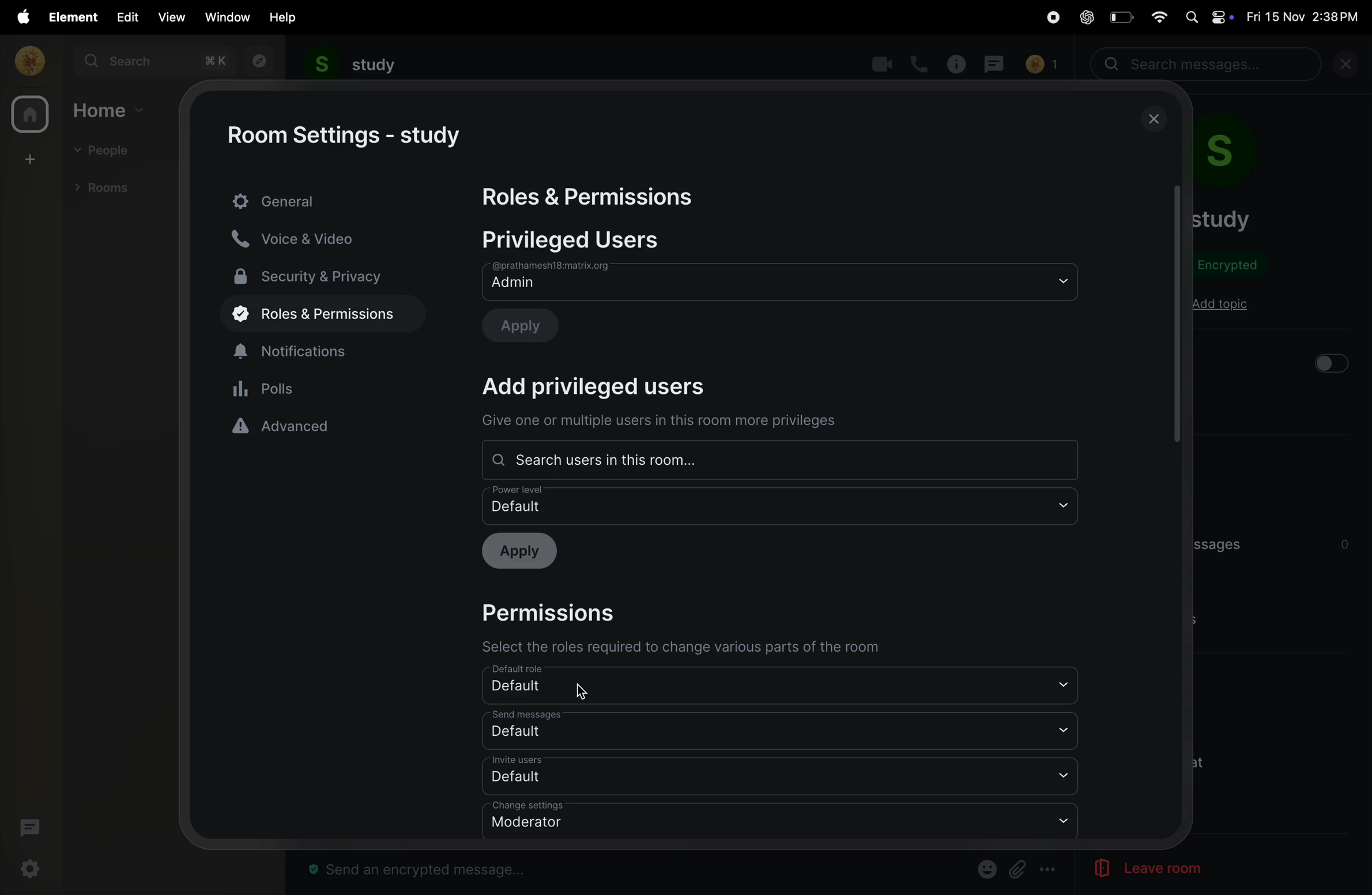  I want to click on chatgpt, so click(1086, 18).